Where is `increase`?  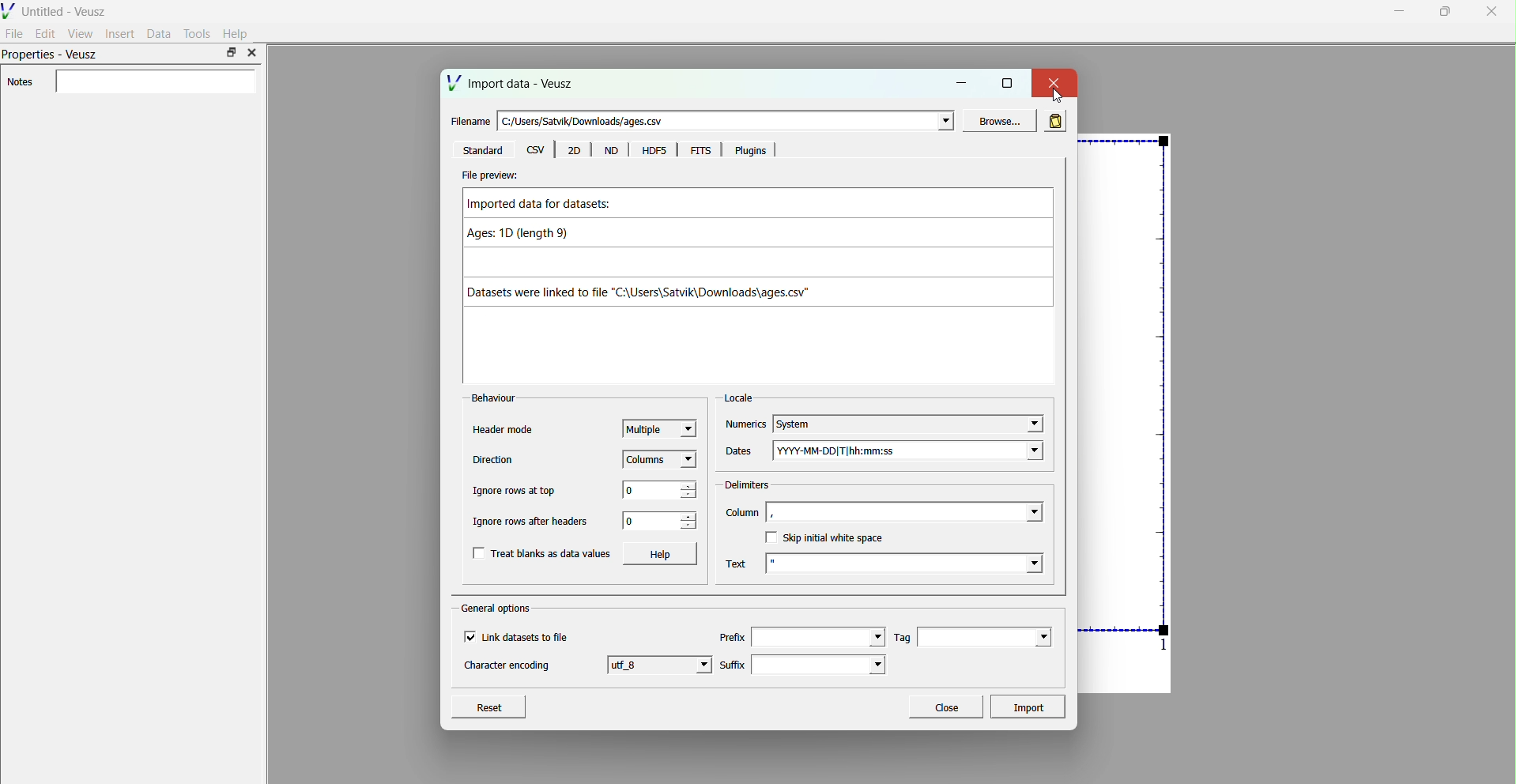
increase is located at coordinates (689, 486).